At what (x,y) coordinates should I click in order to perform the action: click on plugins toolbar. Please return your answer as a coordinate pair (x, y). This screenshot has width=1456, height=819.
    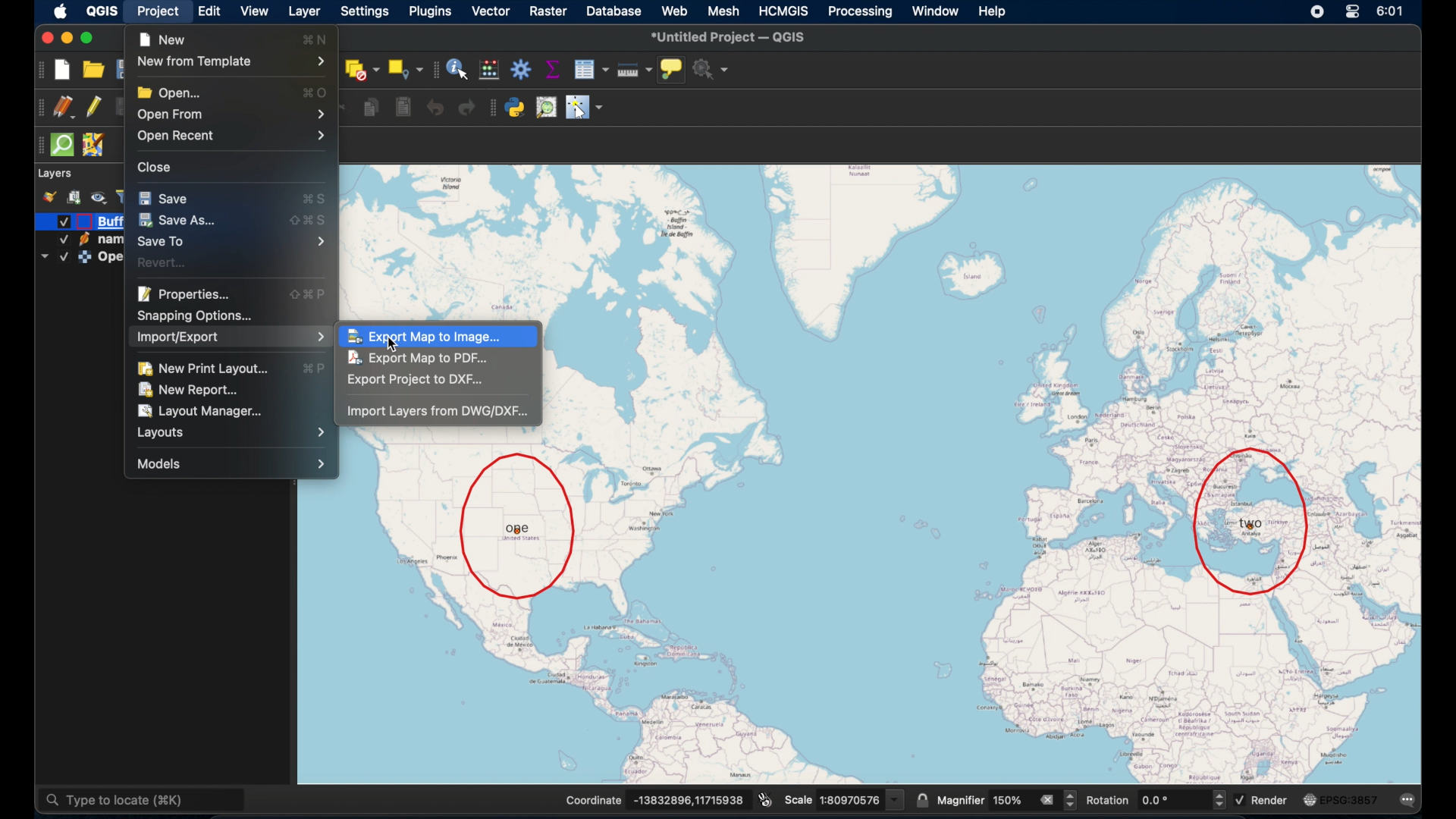
    Looking at the image, I should click on (491, 108).